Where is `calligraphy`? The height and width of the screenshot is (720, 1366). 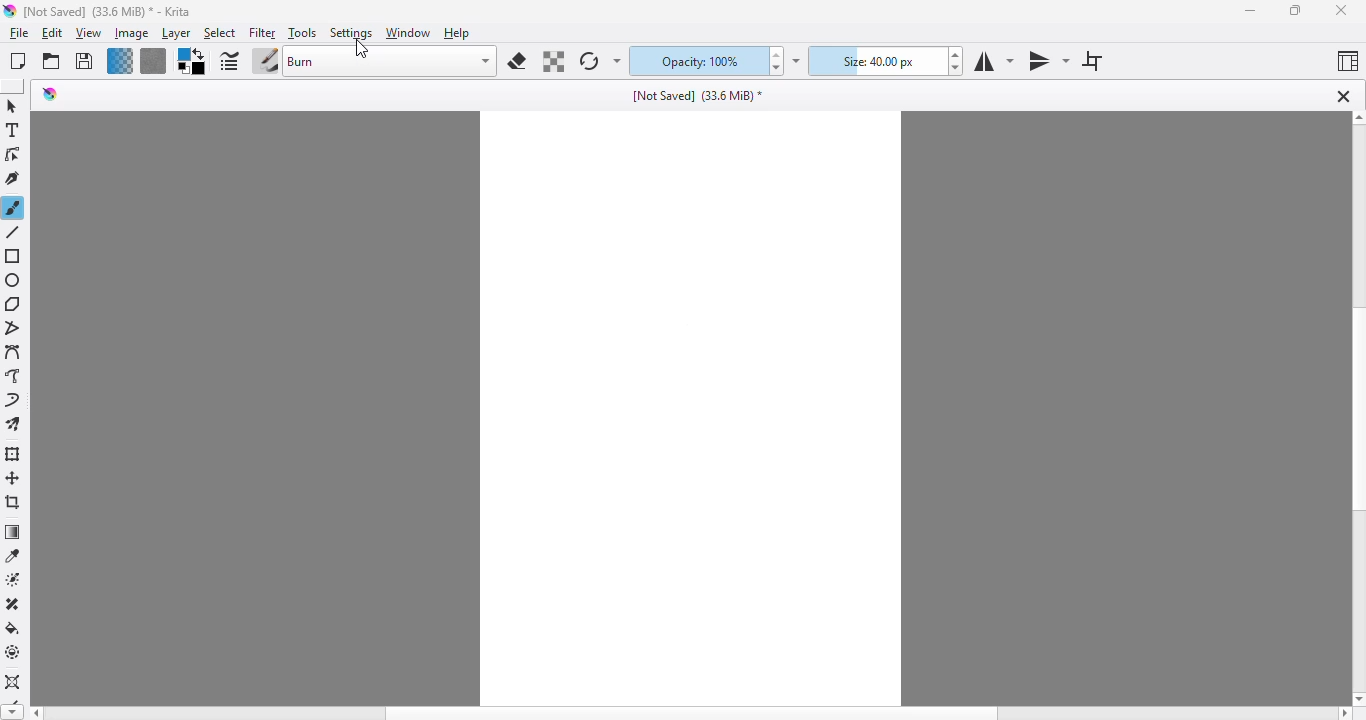 calligraphy is located at coordinates (13, 178).